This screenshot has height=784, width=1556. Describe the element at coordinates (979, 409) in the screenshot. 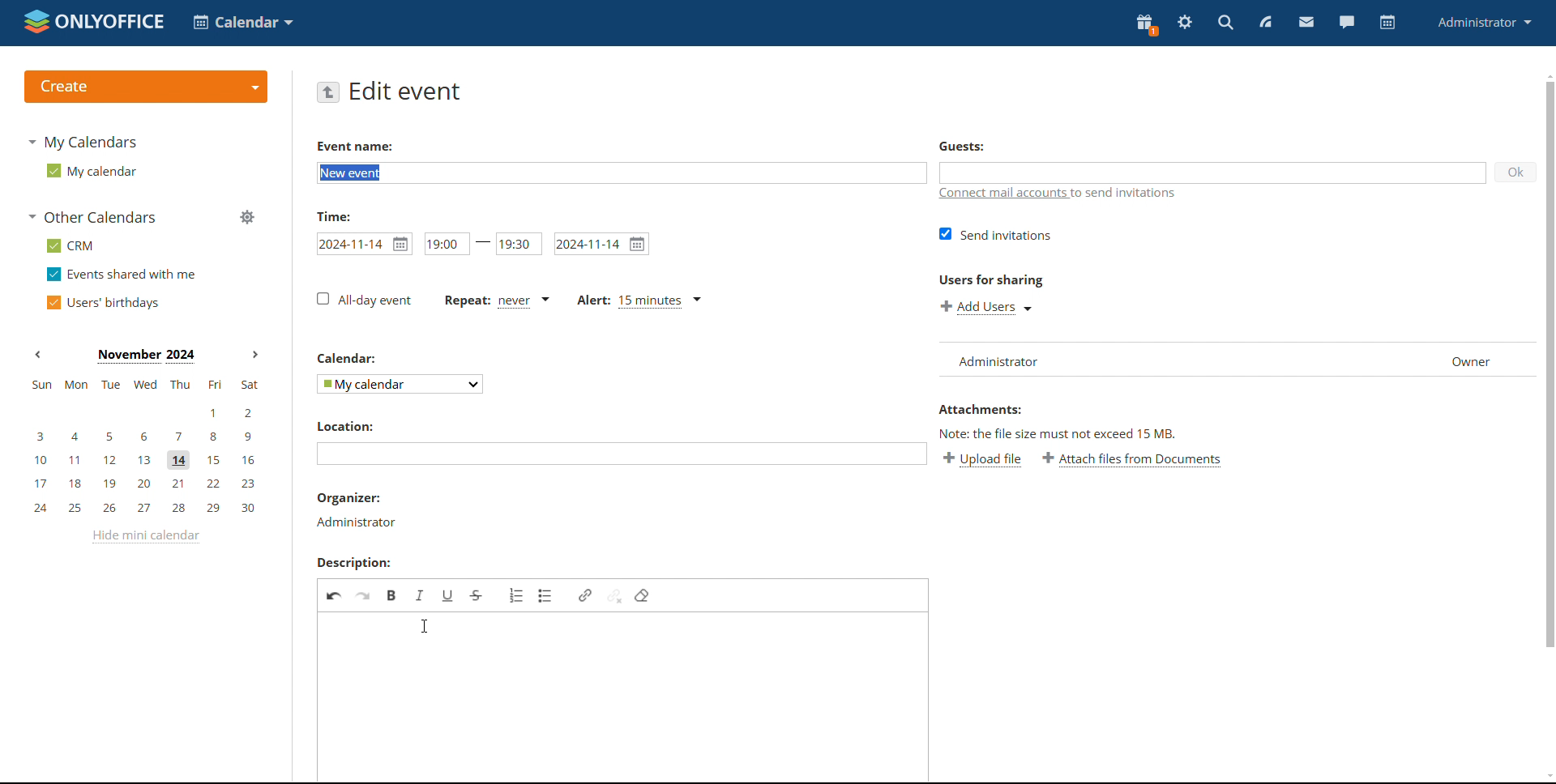

I see `attachment` at that location.